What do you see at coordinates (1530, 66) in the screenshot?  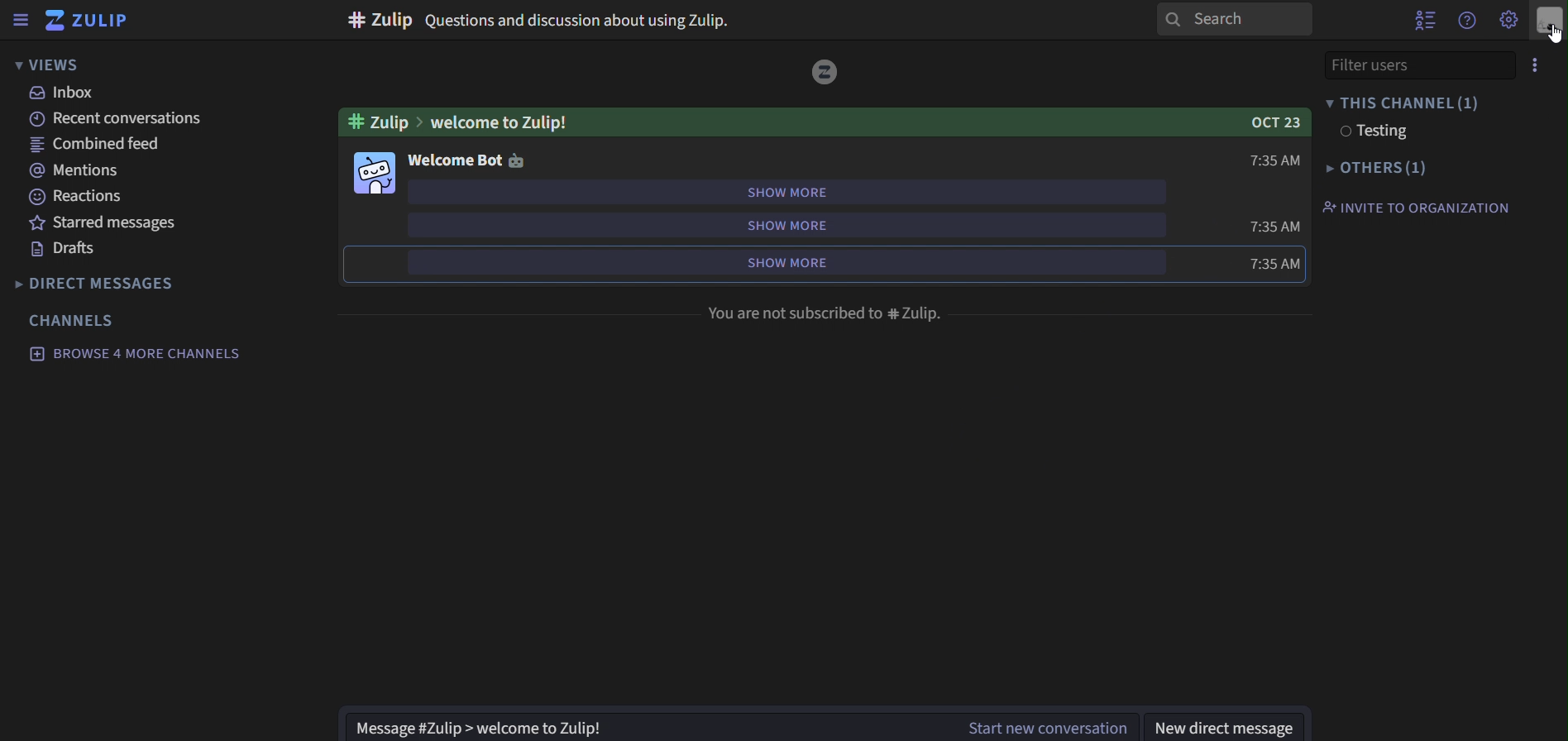 I see `options` at bounding box center [1530, 66].